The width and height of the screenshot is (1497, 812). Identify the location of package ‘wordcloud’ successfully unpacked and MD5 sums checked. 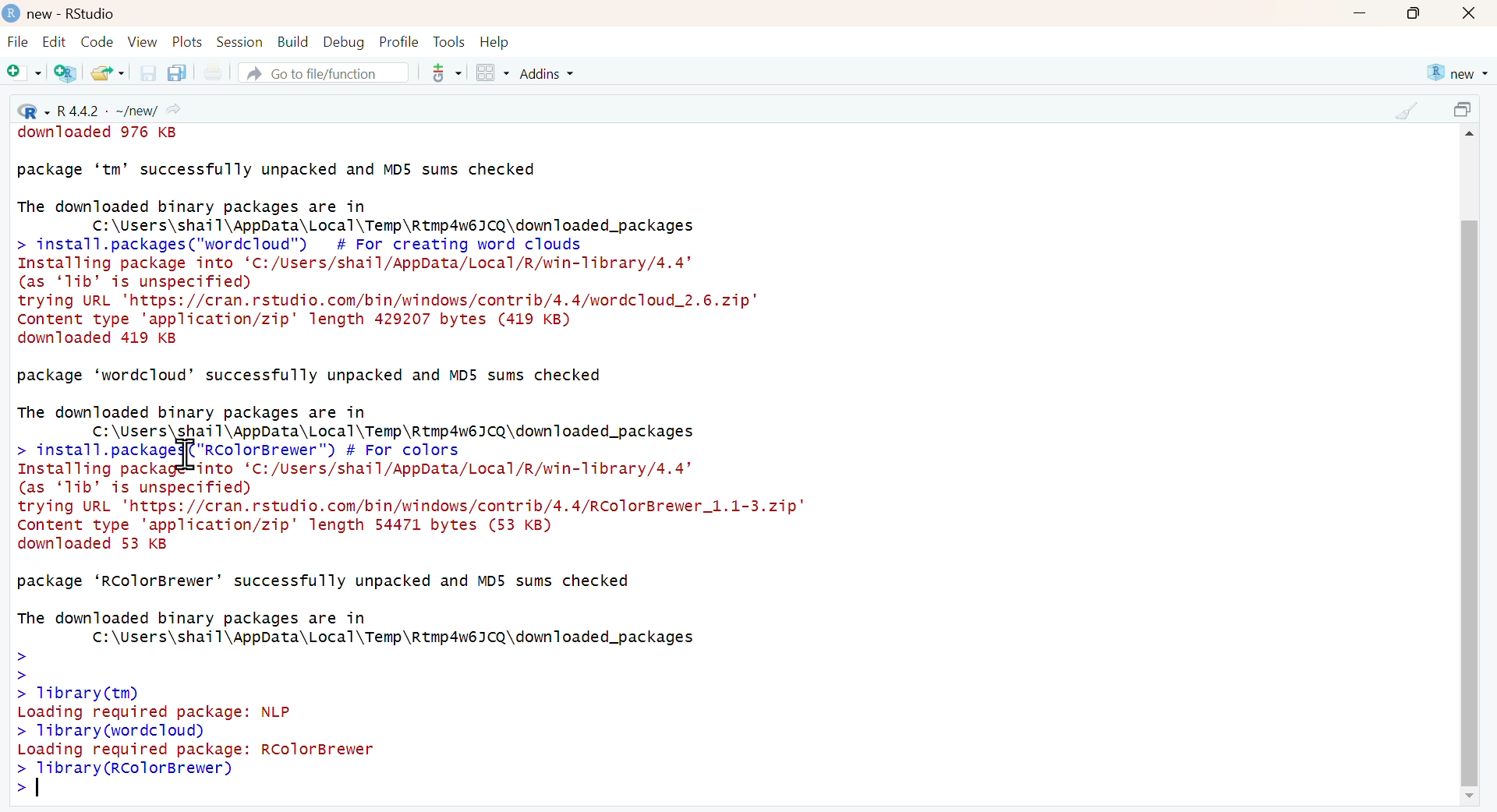
(311, 377).